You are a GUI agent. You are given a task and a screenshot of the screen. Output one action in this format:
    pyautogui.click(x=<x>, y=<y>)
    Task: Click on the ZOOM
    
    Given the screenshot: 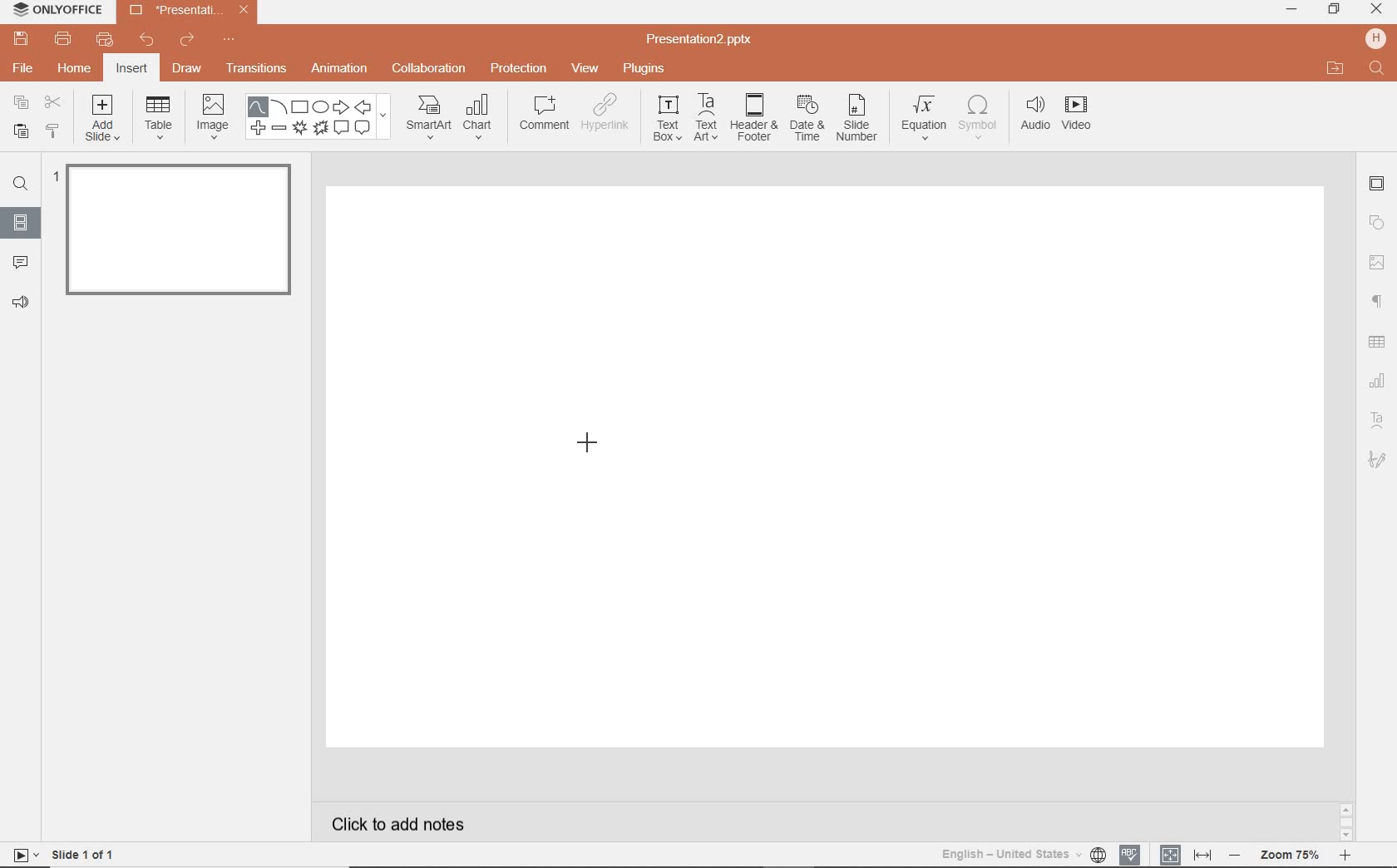 What is the action you would take?
    pyautogui.click(x=1298, y=855)
    